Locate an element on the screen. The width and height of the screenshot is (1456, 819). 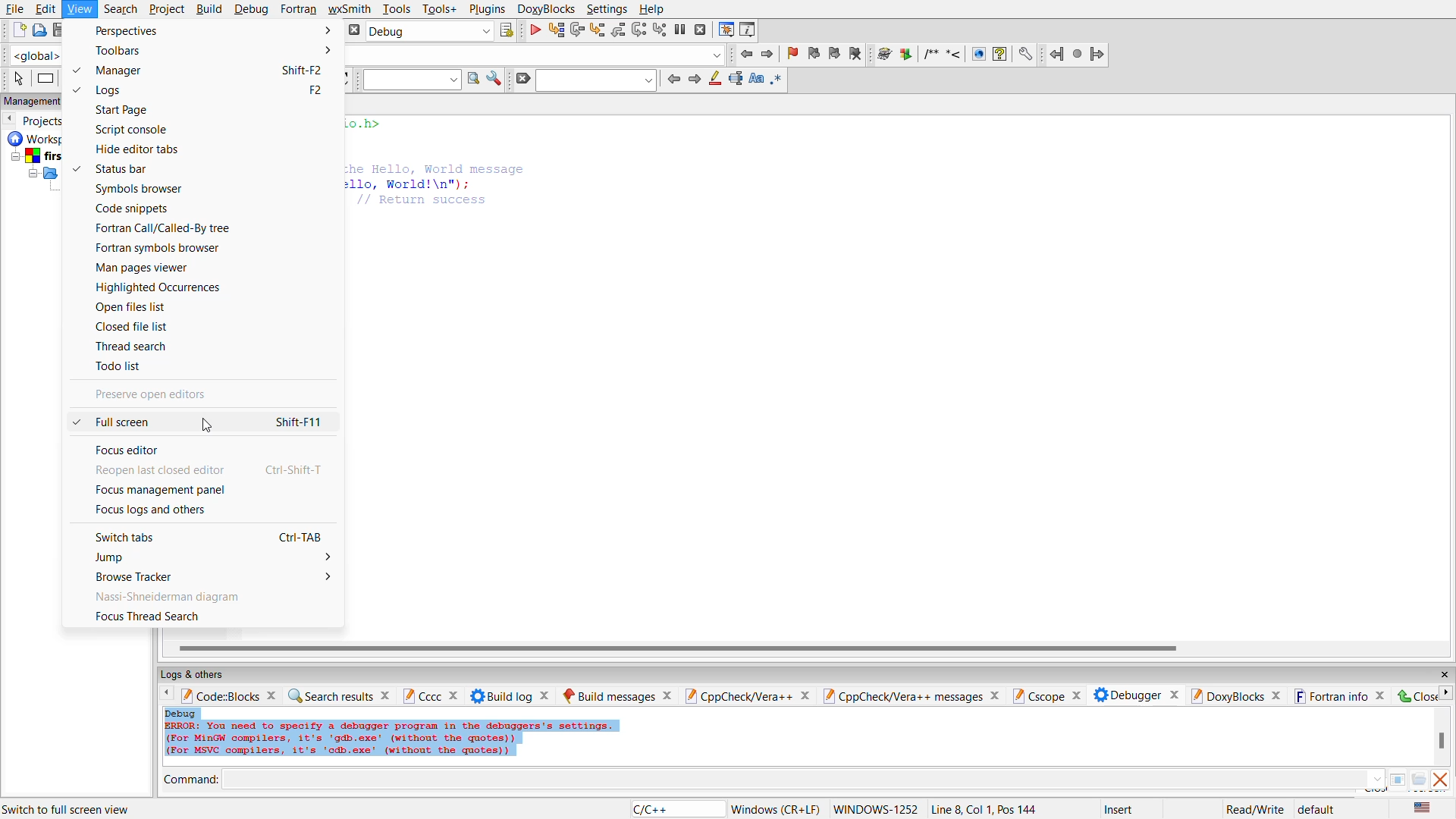
next is located at coordinates (1447, 694).